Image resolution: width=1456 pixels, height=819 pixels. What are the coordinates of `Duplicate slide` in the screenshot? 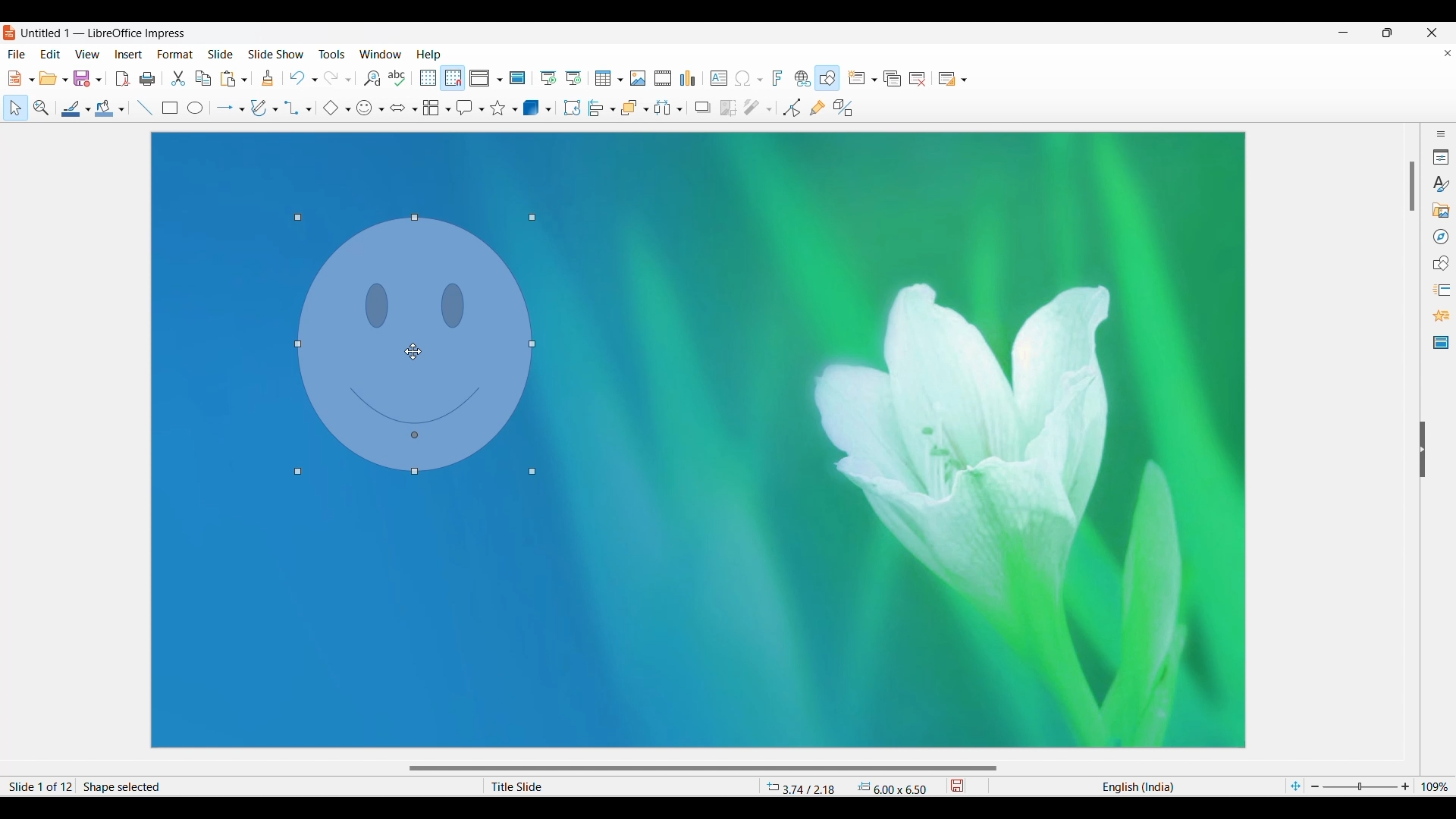 It's located at (893, 79).